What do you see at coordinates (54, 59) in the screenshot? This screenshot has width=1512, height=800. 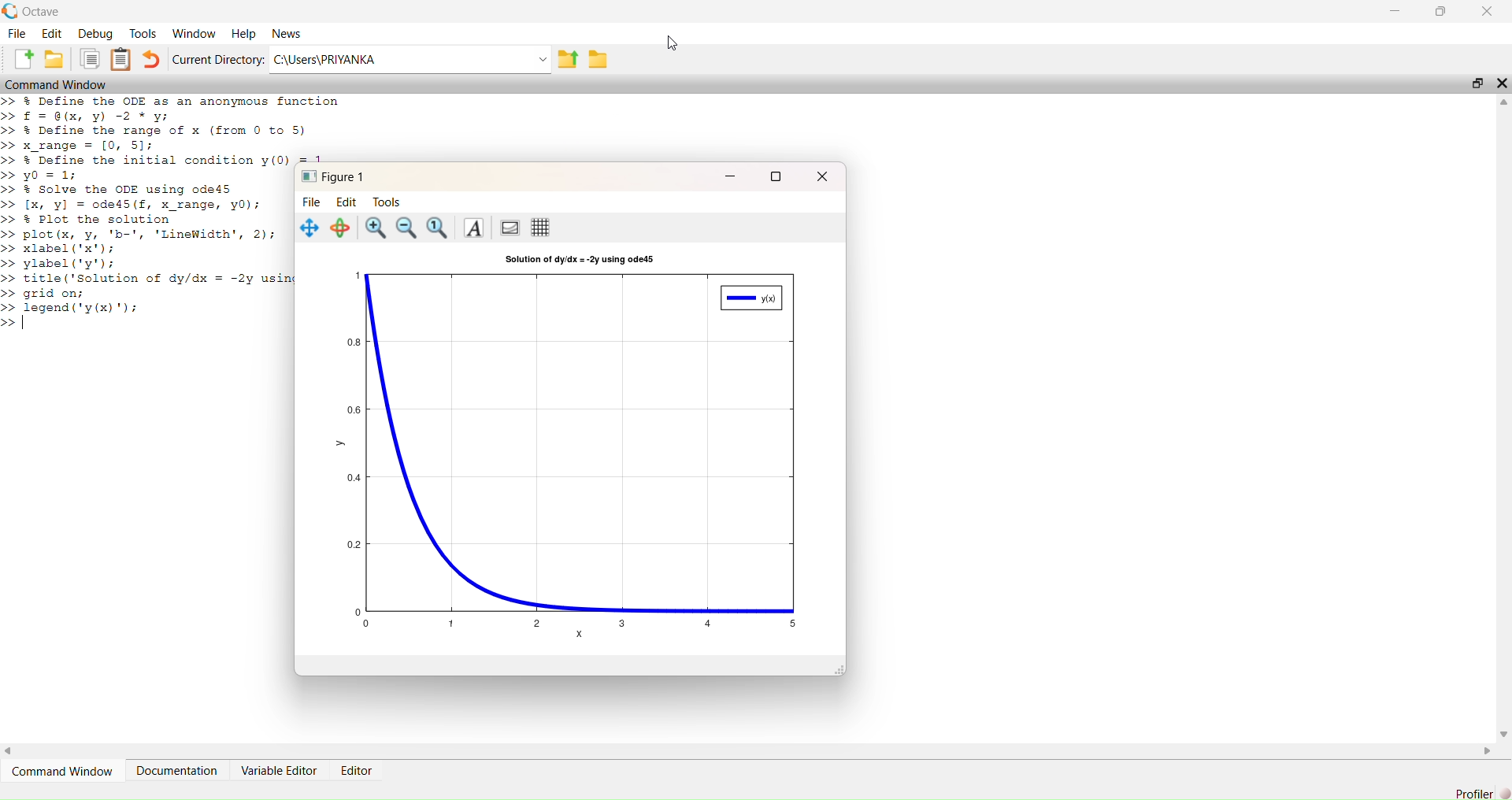 I see `Open an existing file in editor` at bounding box center [54, 59].